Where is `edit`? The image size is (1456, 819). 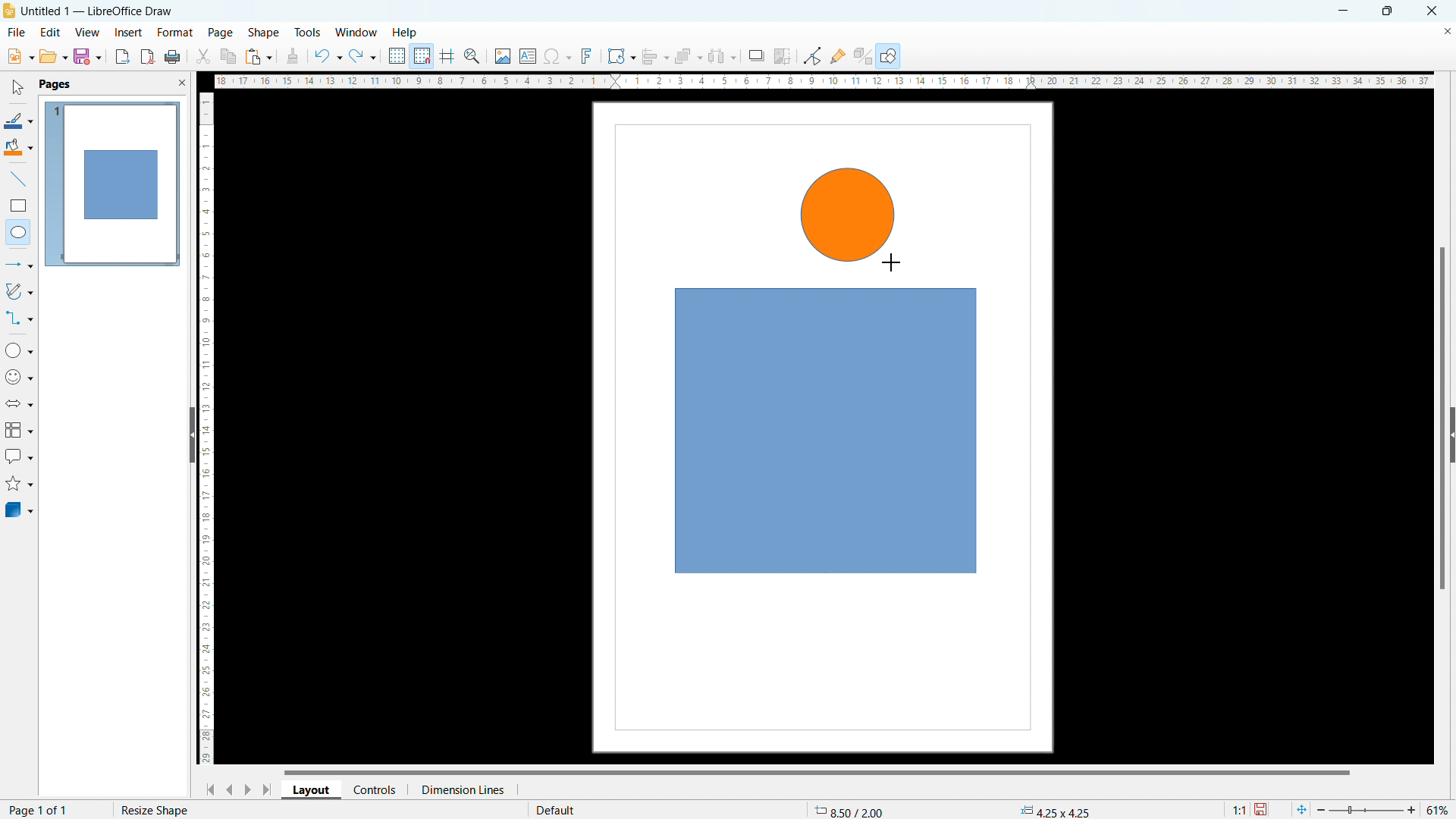
edit is located at coordinates (51, 31).